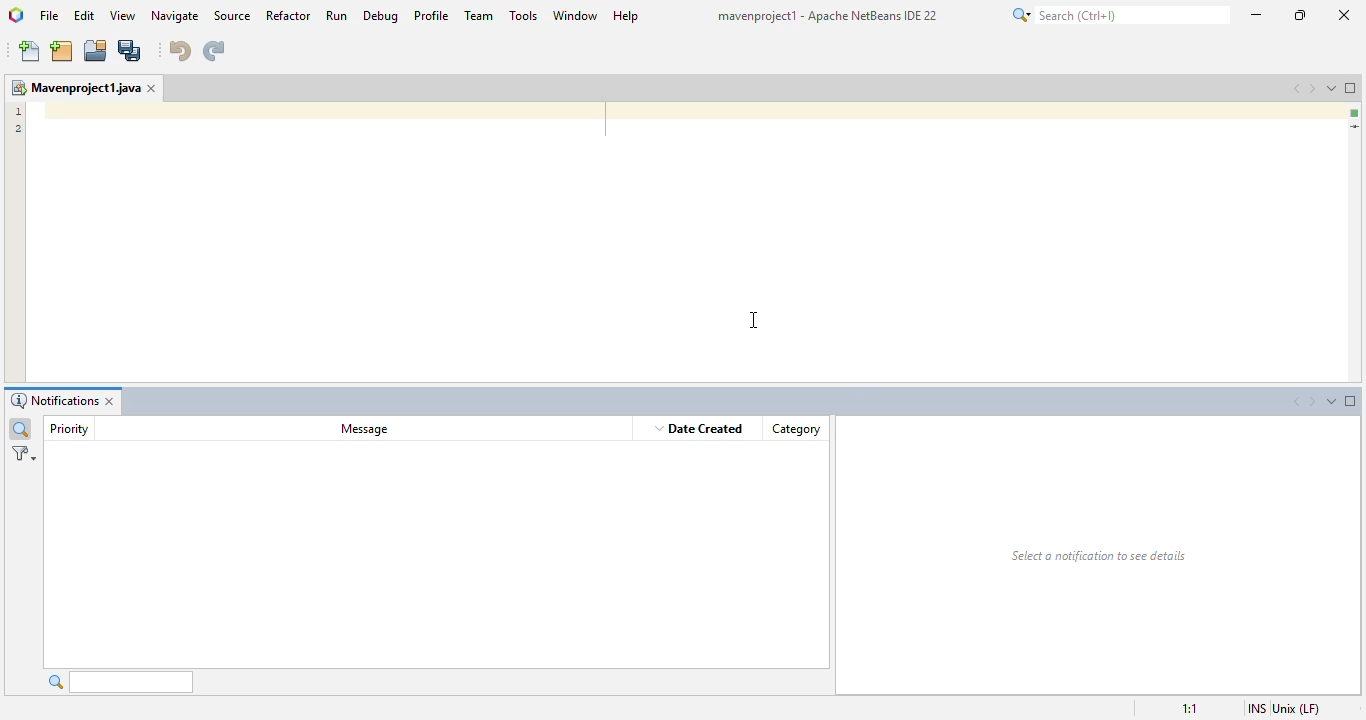 This screenshot has width=1366, height=720. I want to click on message, so click(365, 428).